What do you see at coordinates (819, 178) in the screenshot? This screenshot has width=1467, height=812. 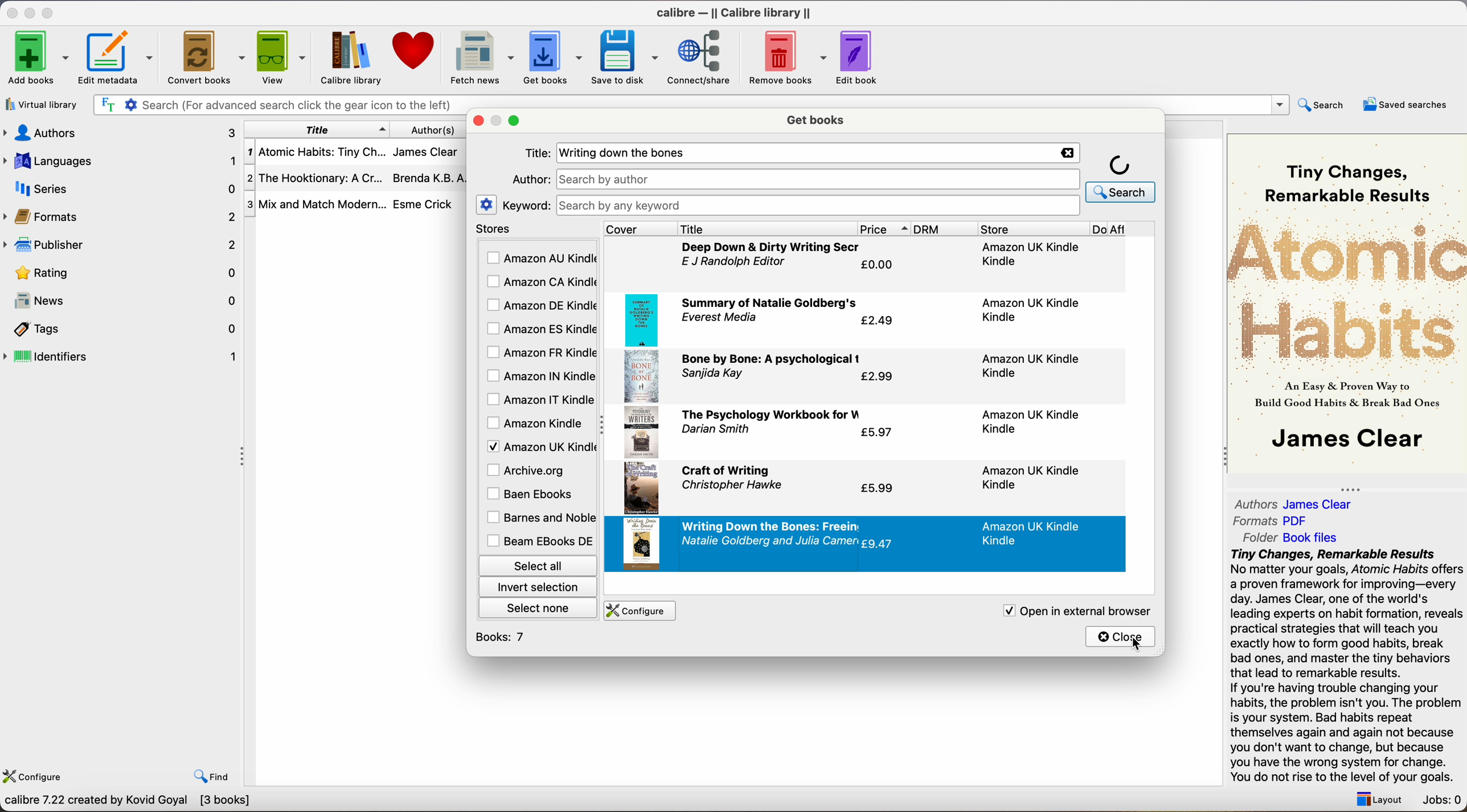 I see `search bar` at bounding box center [819, 178].